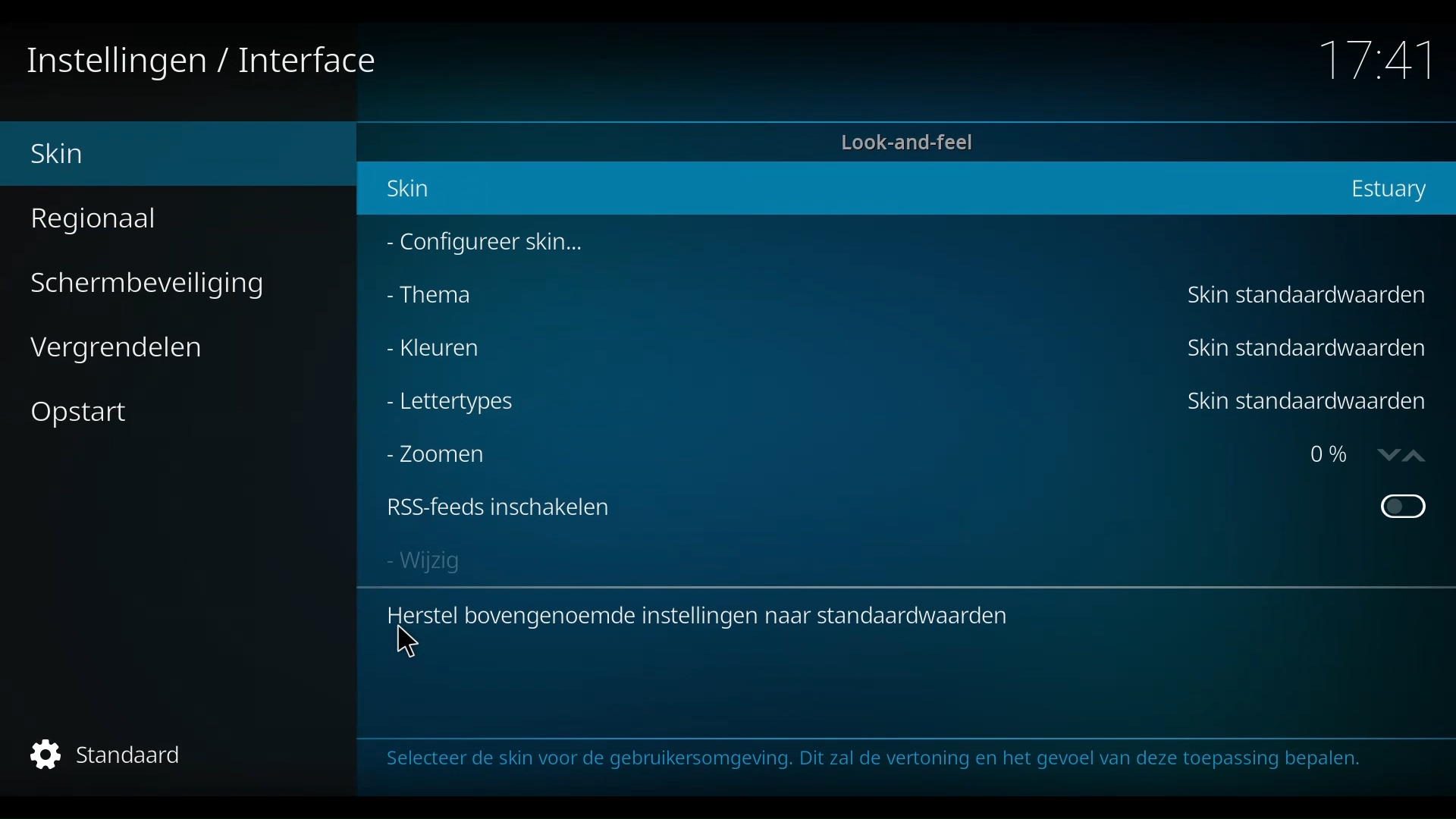 This screenshot has width=1456, height=819. Describe the element at coordinates (1366, 455) in the screenshot. I see `O%` at that location.